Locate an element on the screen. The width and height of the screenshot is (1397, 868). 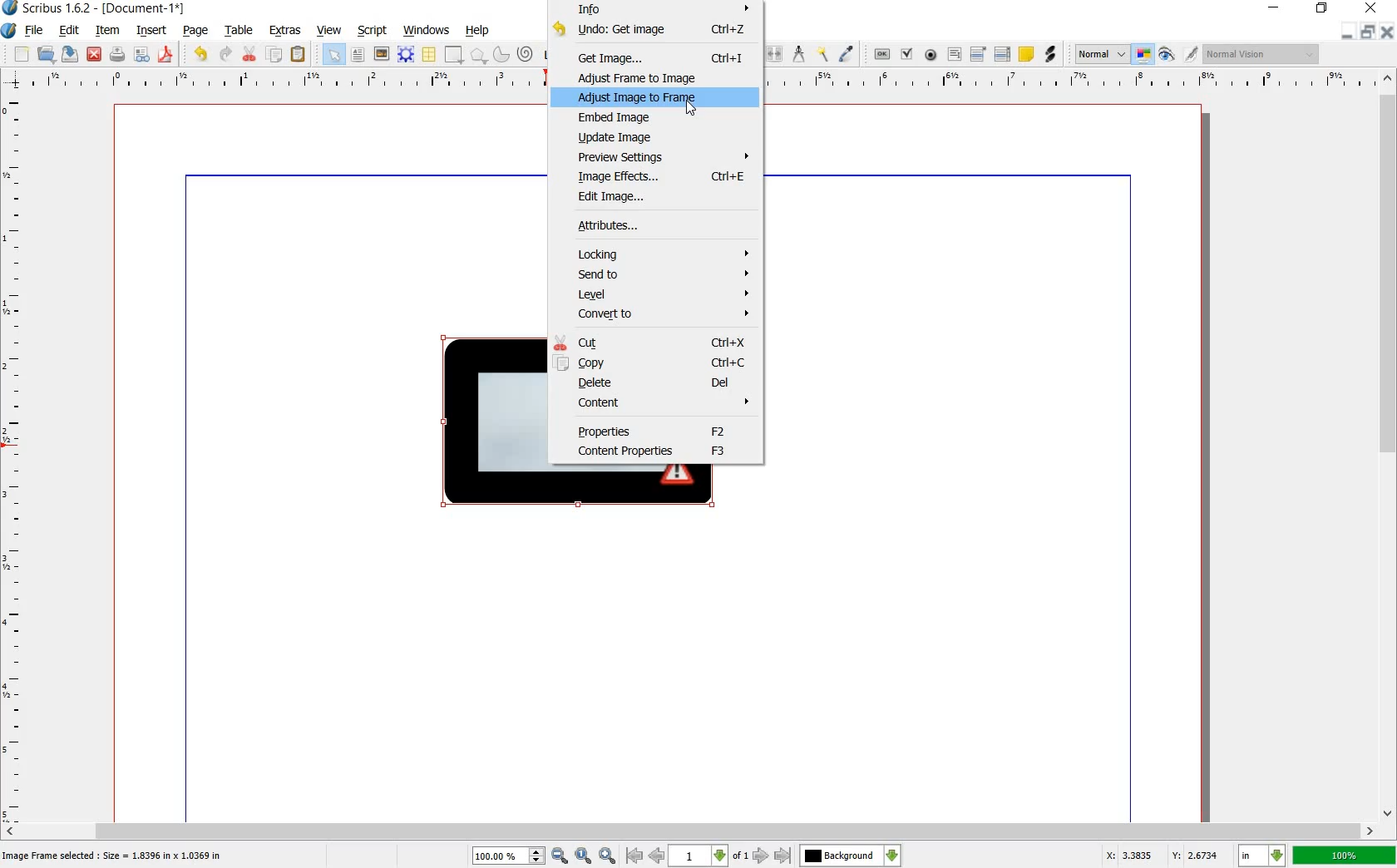
preflight verifier is located at coordinates (141, 55).